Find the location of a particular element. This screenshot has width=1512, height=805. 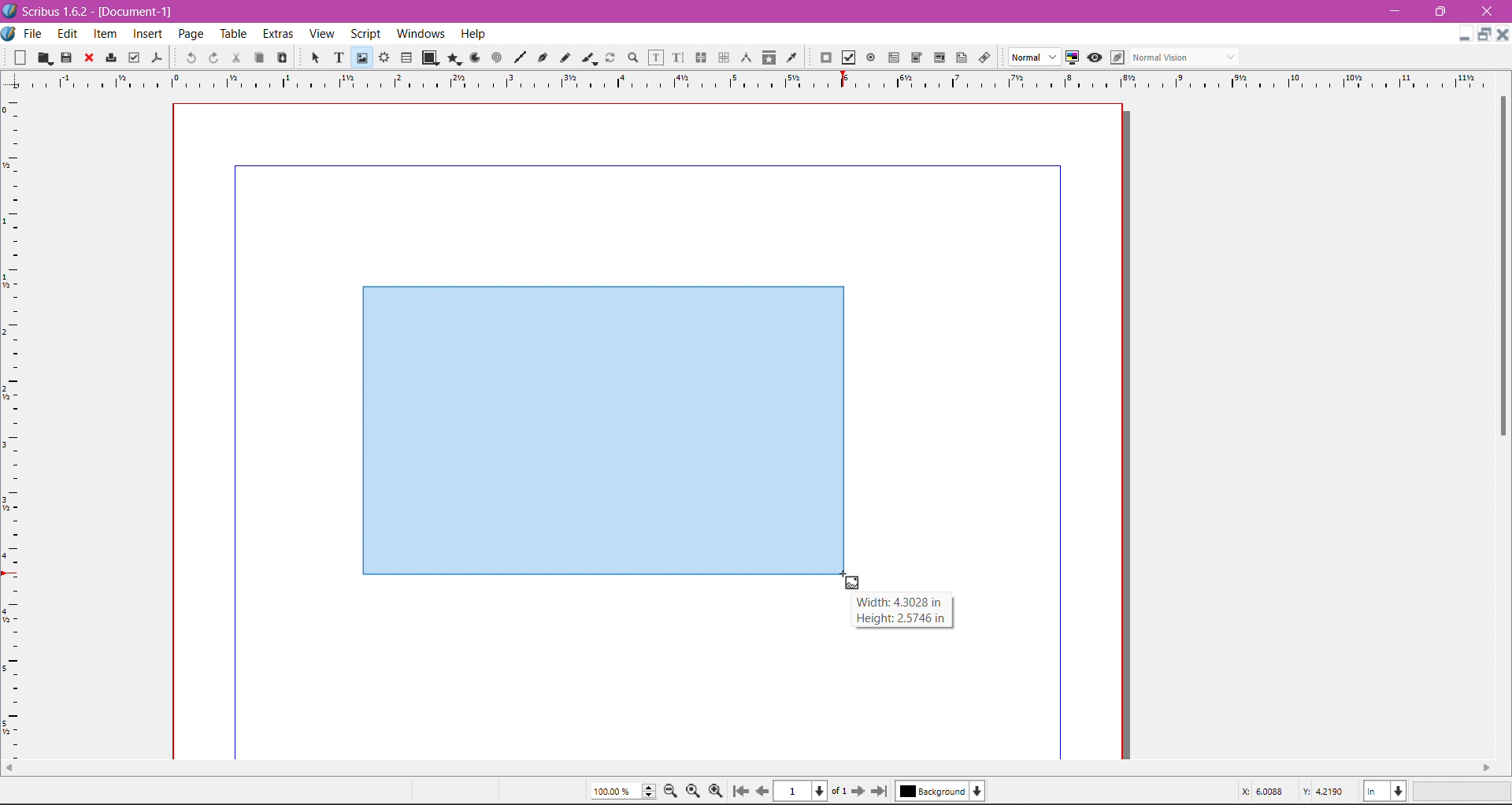

Redo is located at coordinates (213, 58).